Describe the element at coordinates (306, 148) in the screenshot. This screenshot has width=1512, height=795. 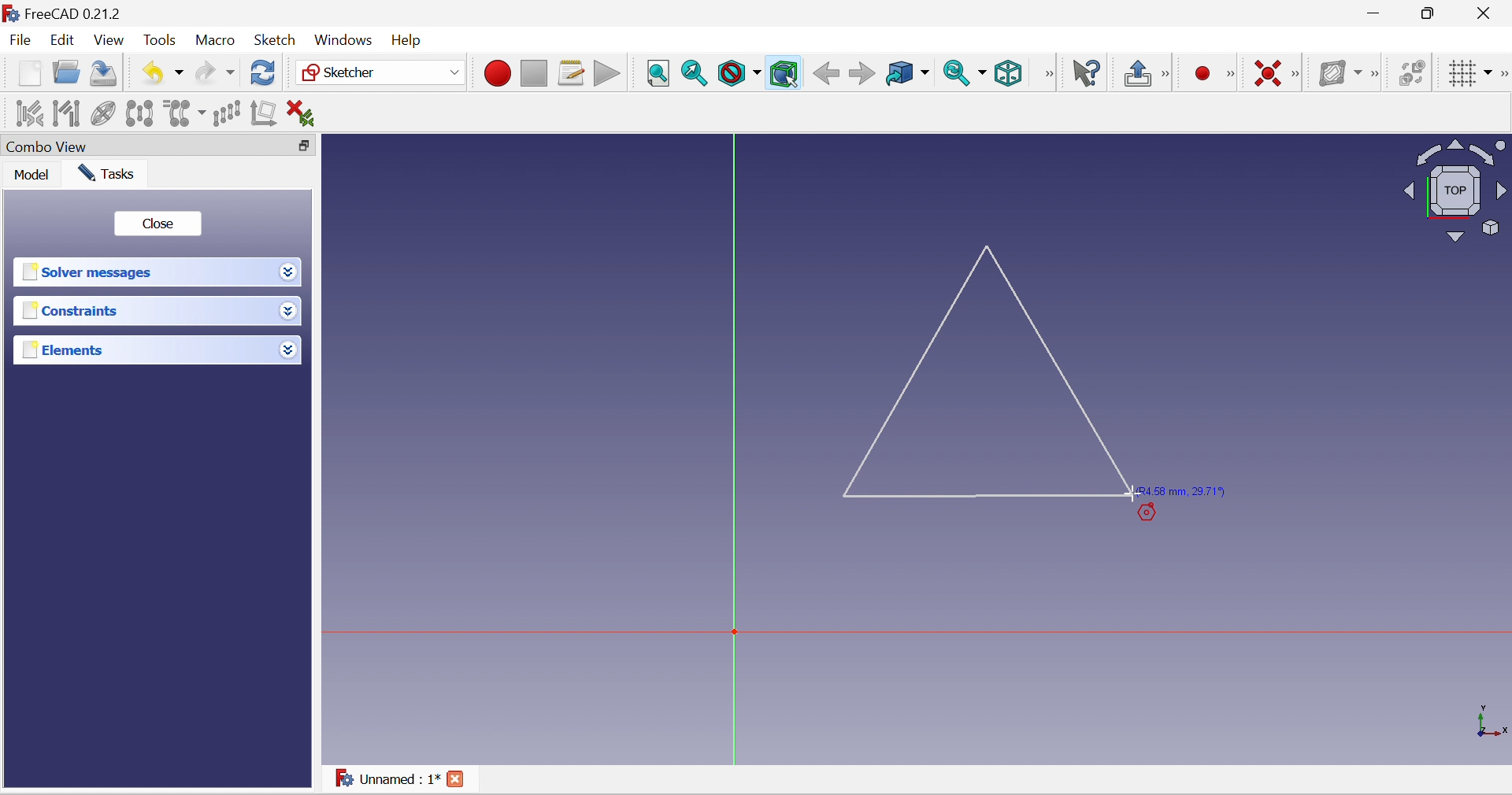
I see `Restore down` at that location.